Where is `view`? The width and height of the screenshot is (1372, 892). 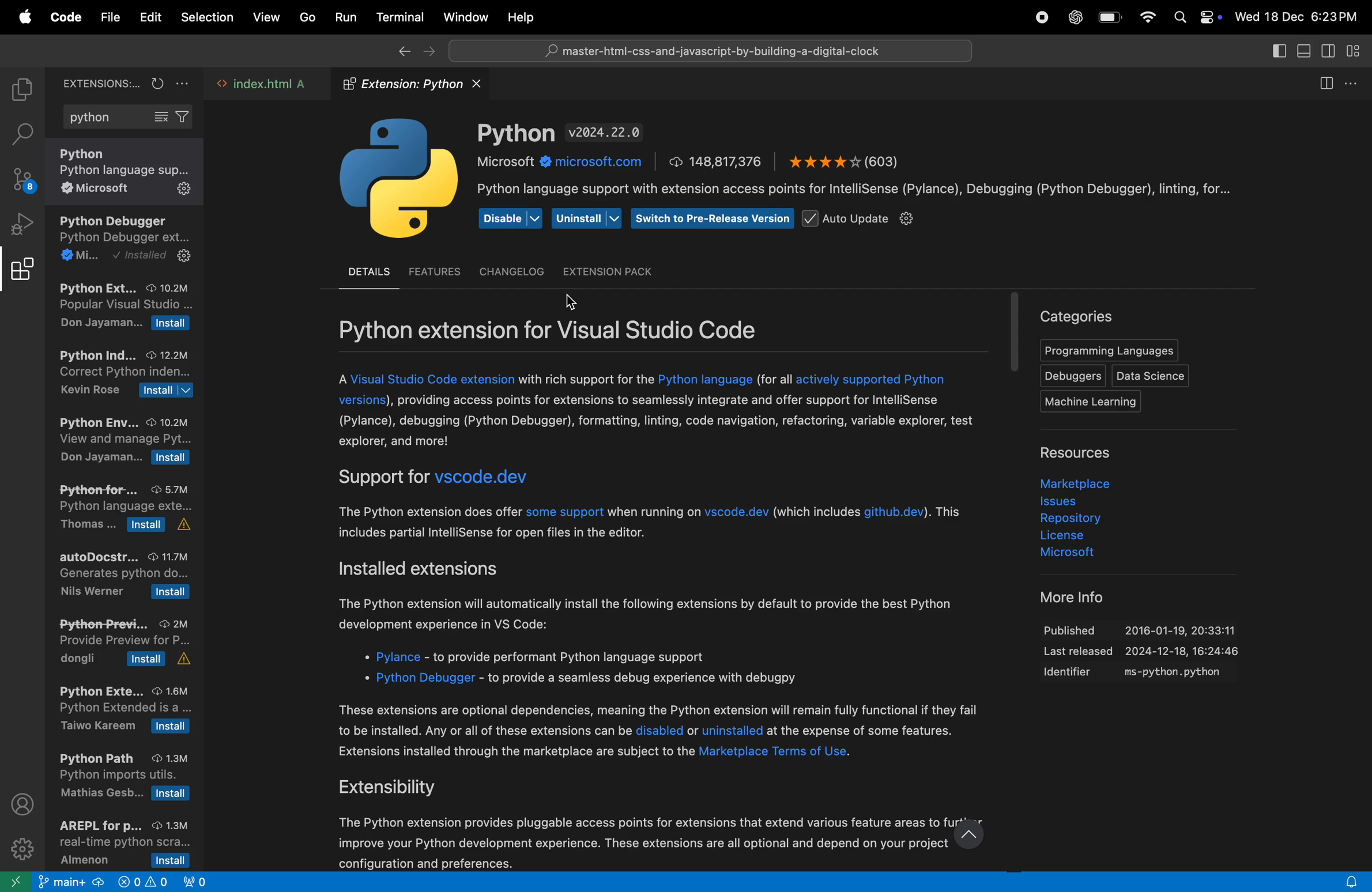
view is located at coordinates (263, 18).